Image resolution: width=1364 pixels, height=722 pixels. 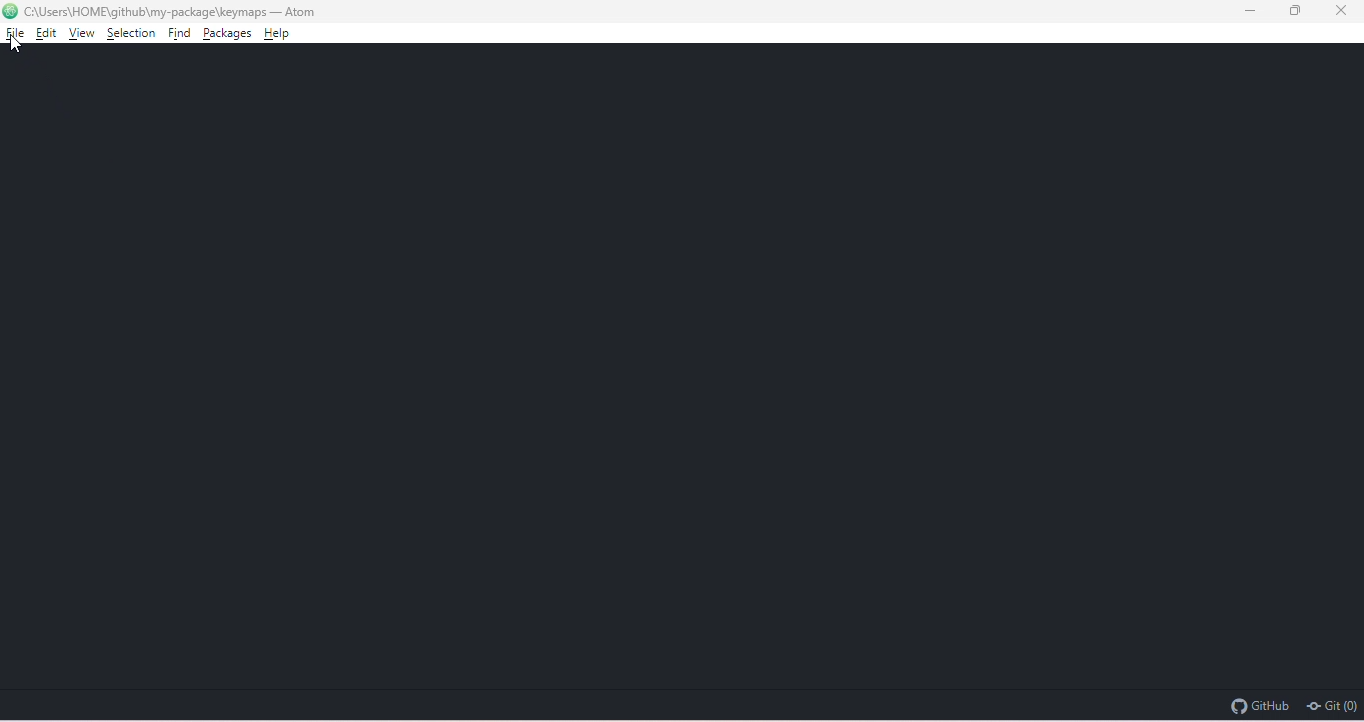 I want to click on find, so click(x=181, y=34).